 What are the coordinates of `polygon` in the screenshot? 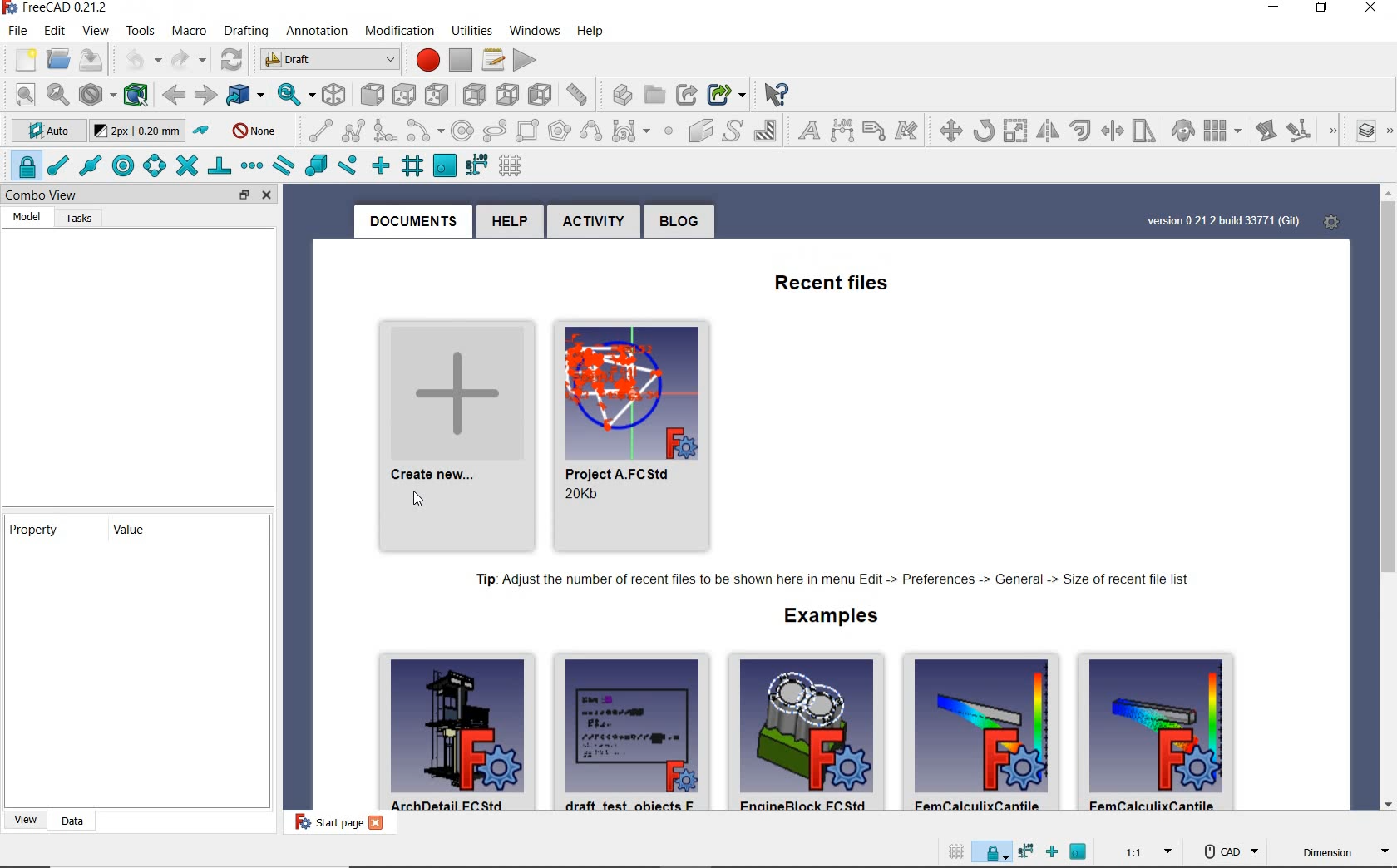 It's located at (560, 131).